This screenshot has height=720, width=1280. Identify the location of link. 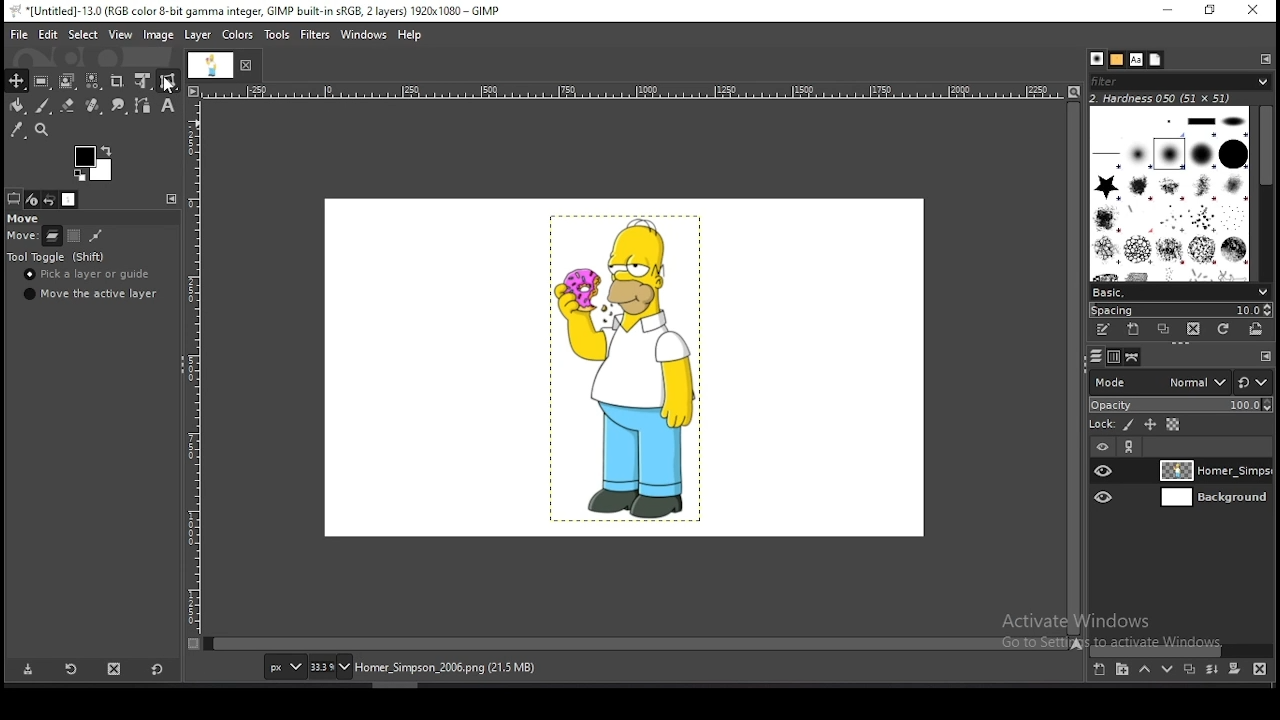
(1131, 448).